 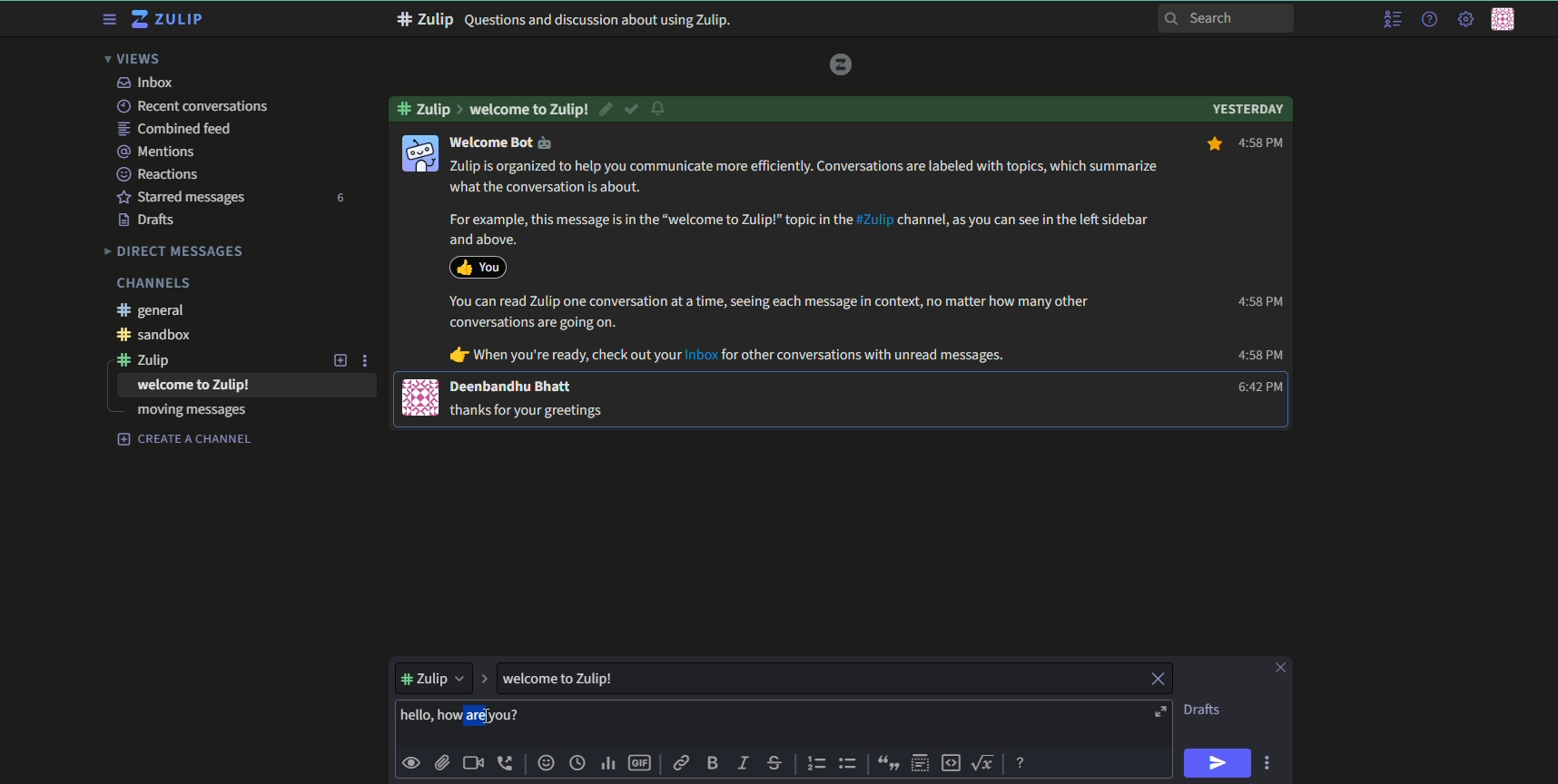 I want to click on quote, so click(x=885, y=763).